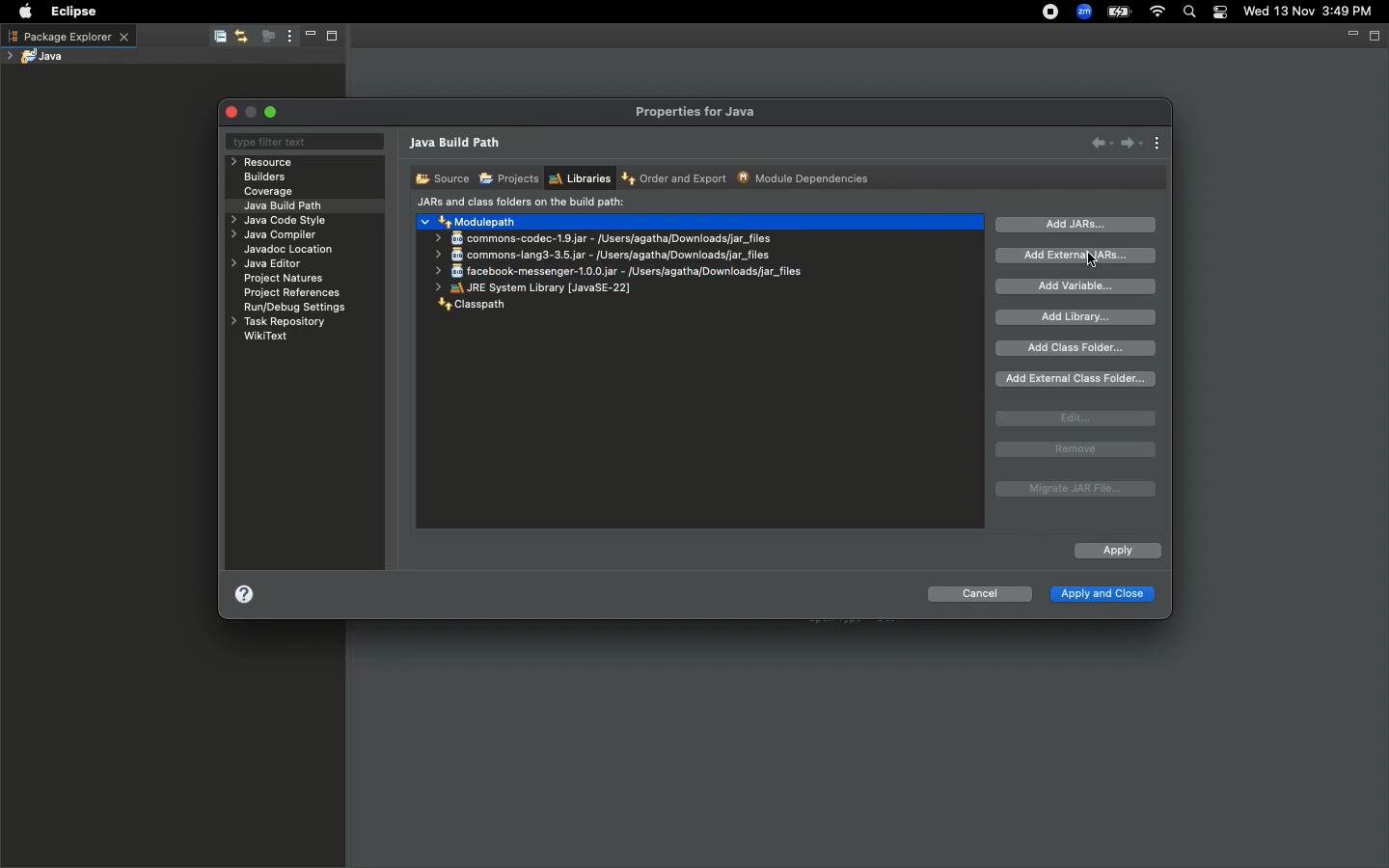 The image size is (1389, 868). Describe the element at coordinates (266, 336) in the screenshot. I see `WikiText` at that location.